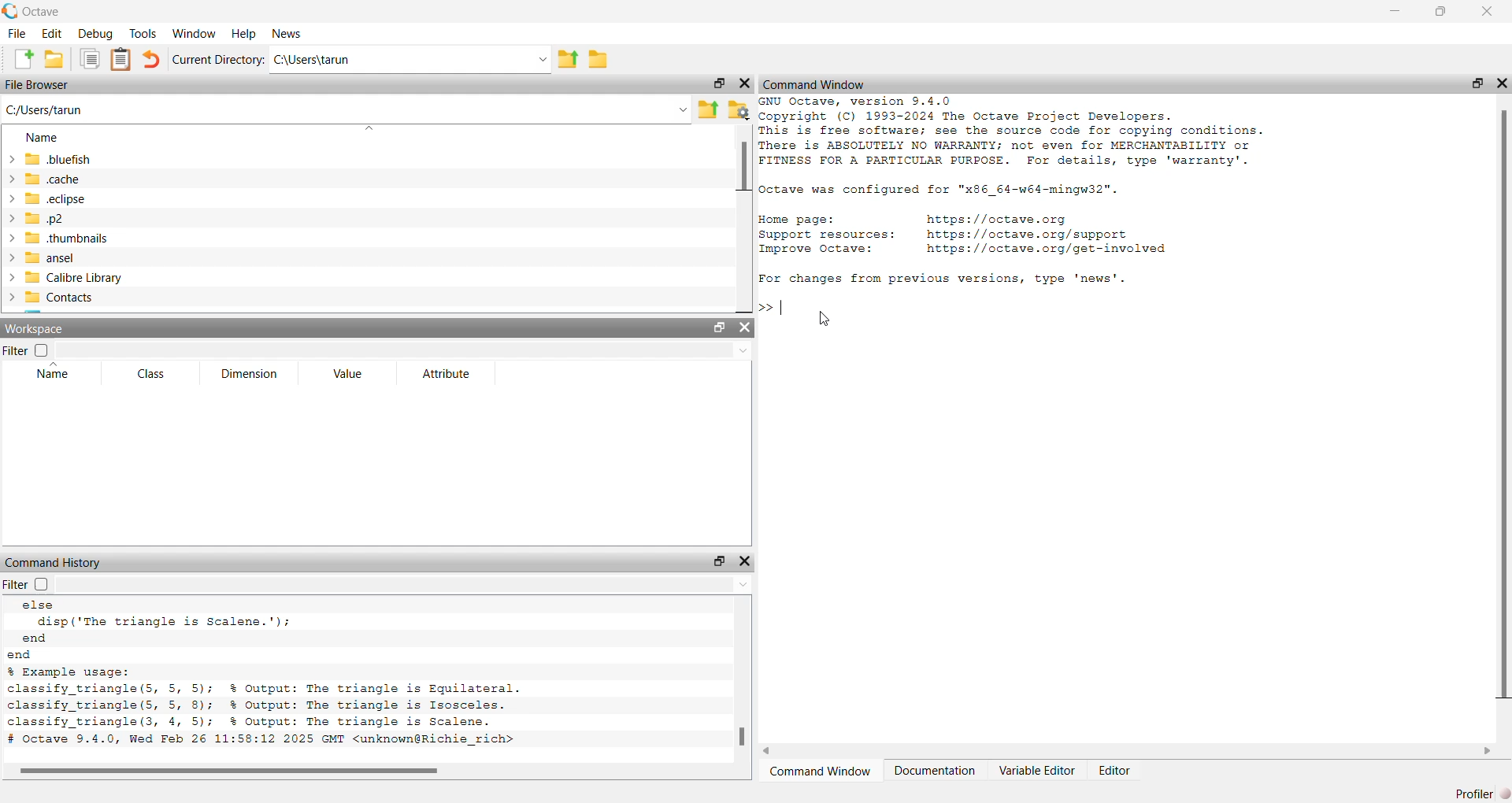  What do you see at coordinates (9, 10) in the screenshot?
I see `logo` at bounding box center [9, 10].